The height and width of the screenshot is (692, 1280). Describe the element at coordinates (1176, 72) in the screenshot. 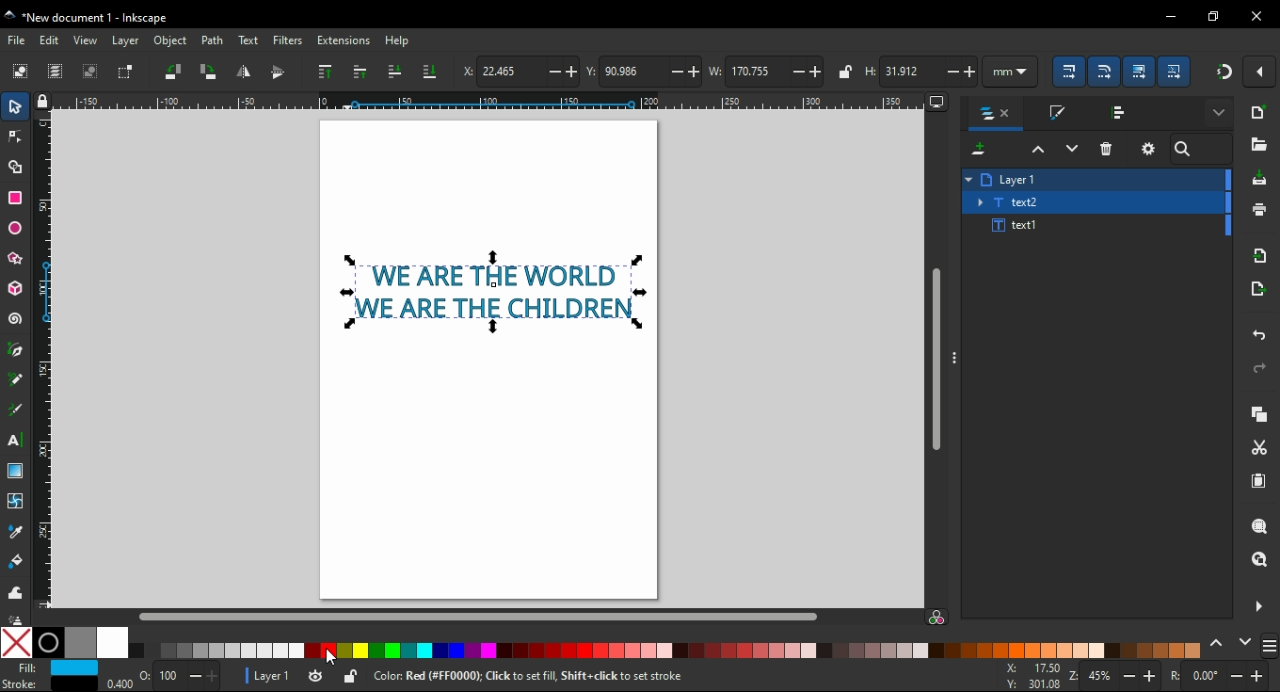

I see `move patterns along with objects` at that location.